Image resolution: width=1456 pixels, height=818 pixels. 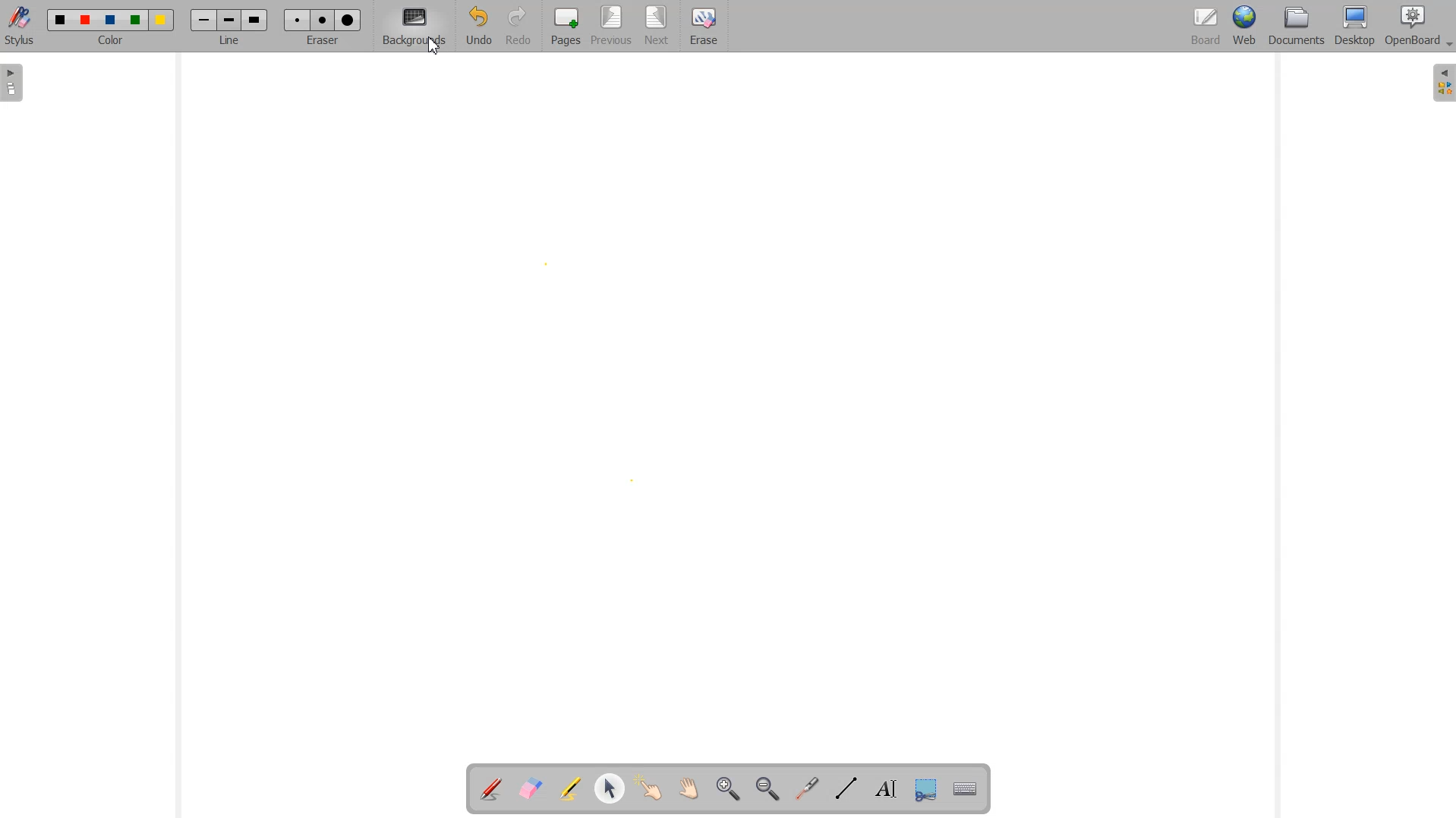 What do you see at coordinates (1447, 45) in the screenshot?
I see `Drop Down Box` at bounding box center [1447, 45].